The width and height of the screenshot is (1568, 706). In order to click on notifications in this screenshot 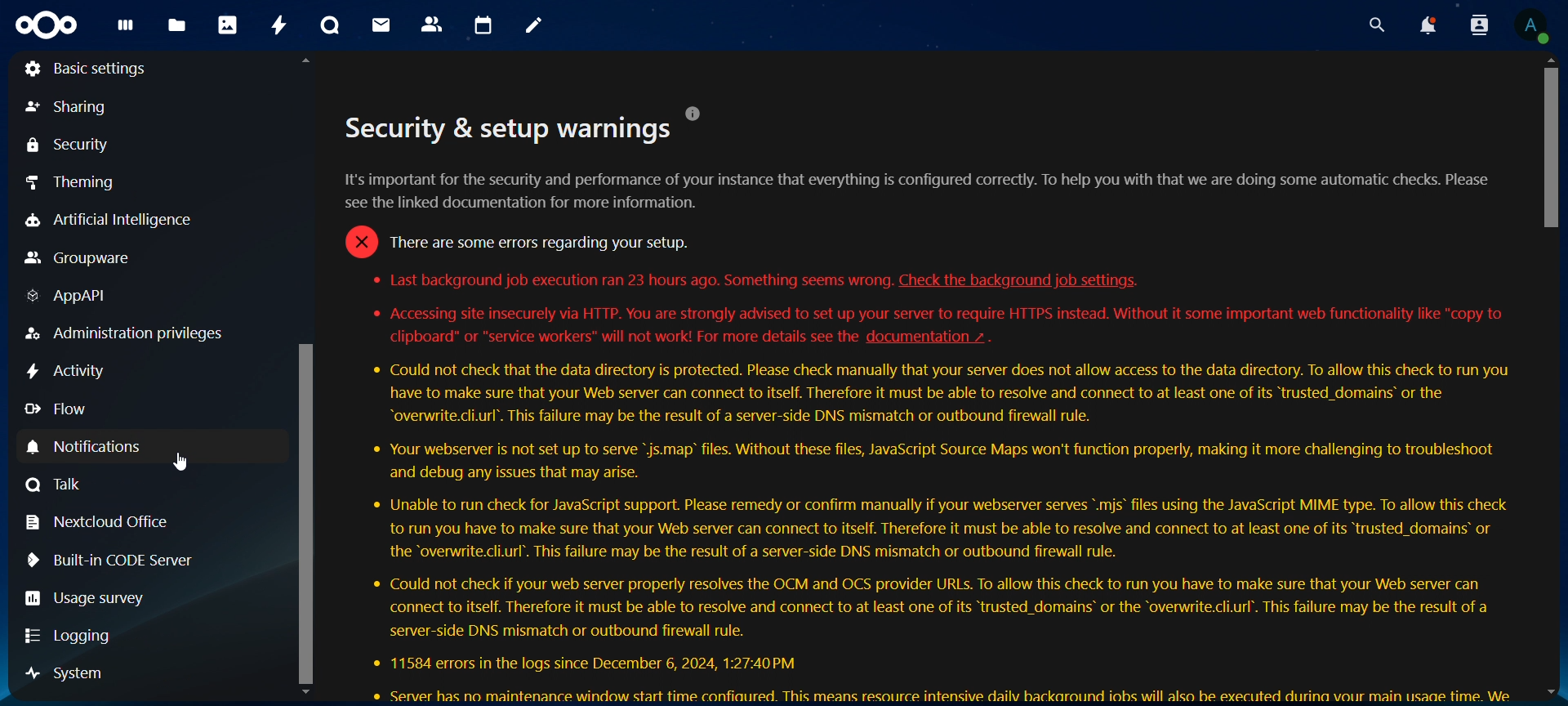, I will do `click(1430, 29)`.